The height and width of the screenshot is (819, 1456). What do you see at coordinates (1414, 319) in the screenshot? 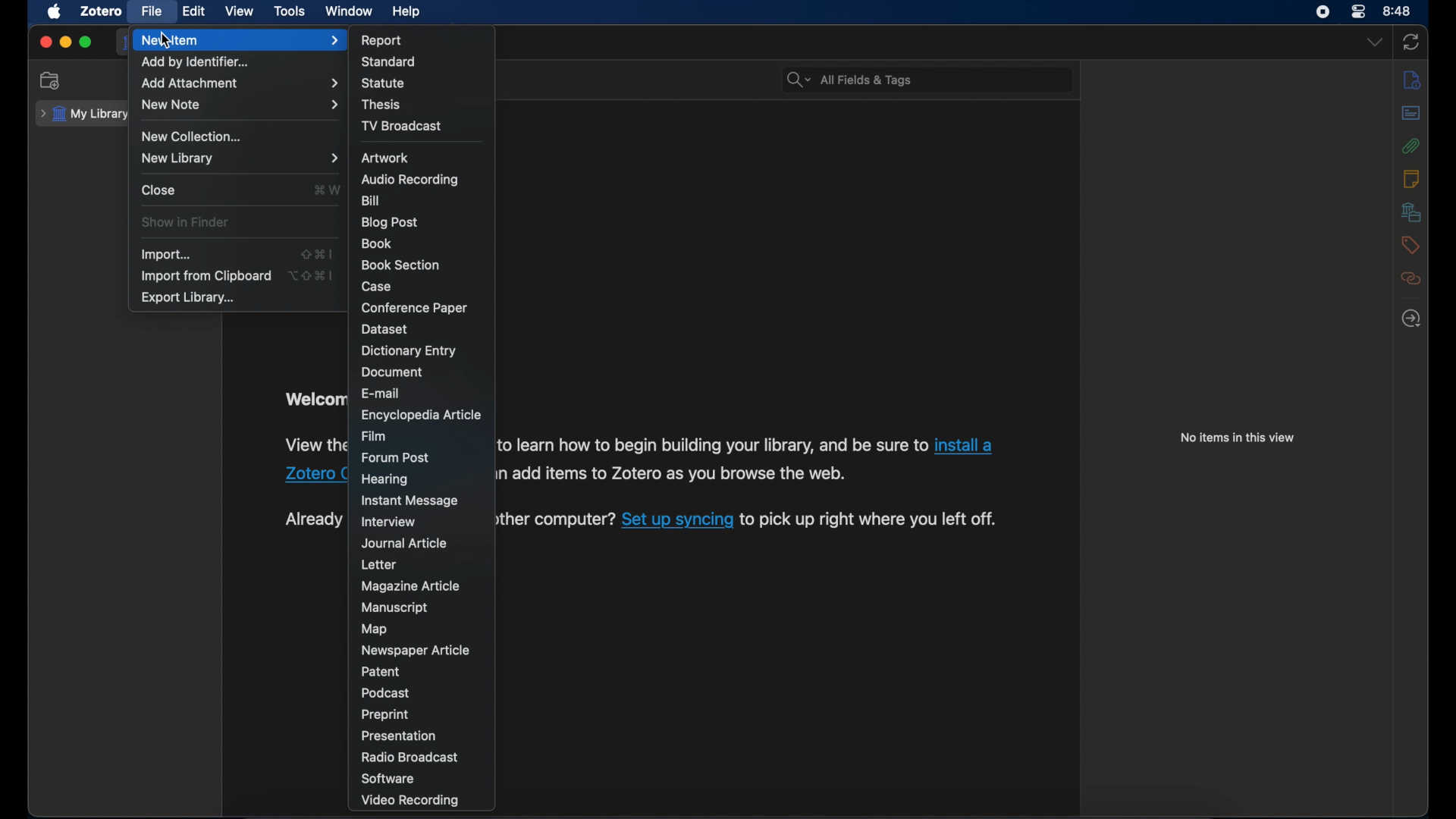
I see `locate` at bounding box center [1414, 319].